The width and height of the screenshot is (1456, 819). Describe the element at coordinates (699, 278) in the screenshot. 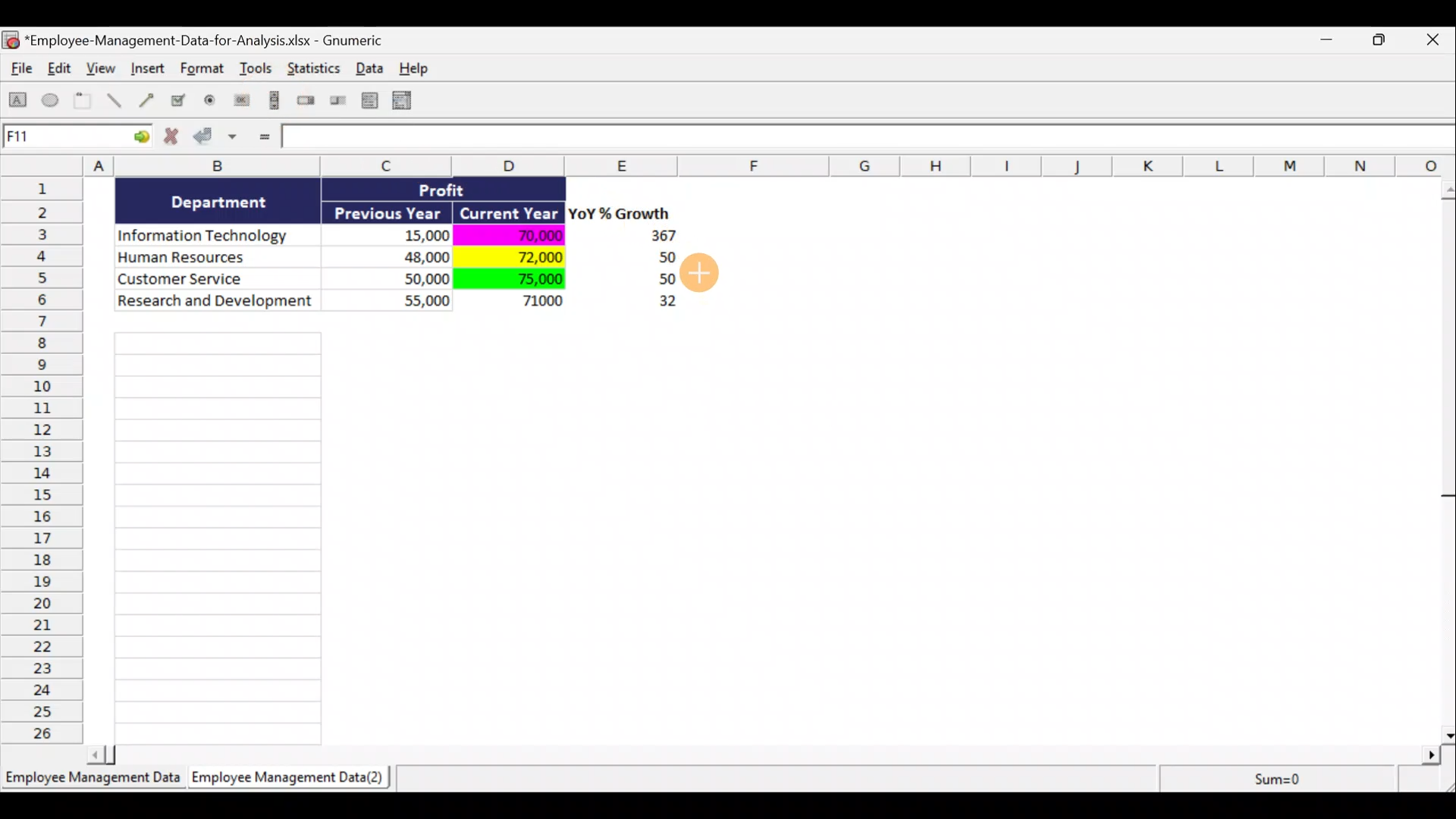

I see `Cursor` at that location.